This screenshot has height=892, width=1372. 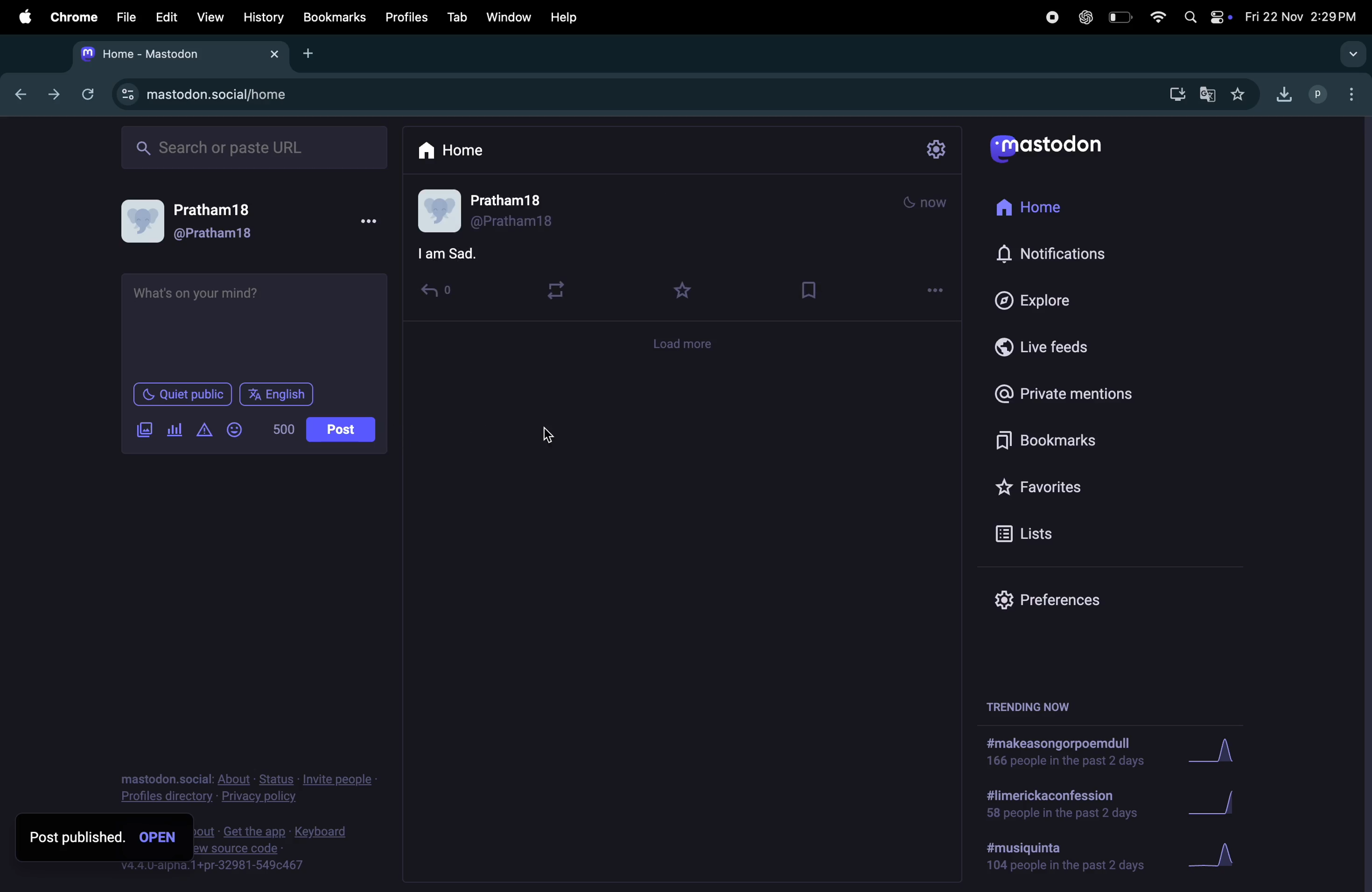 What do you see at coordinates (174, 430) in the screenshot?
I see `polls` at bounding box center [174, 430].